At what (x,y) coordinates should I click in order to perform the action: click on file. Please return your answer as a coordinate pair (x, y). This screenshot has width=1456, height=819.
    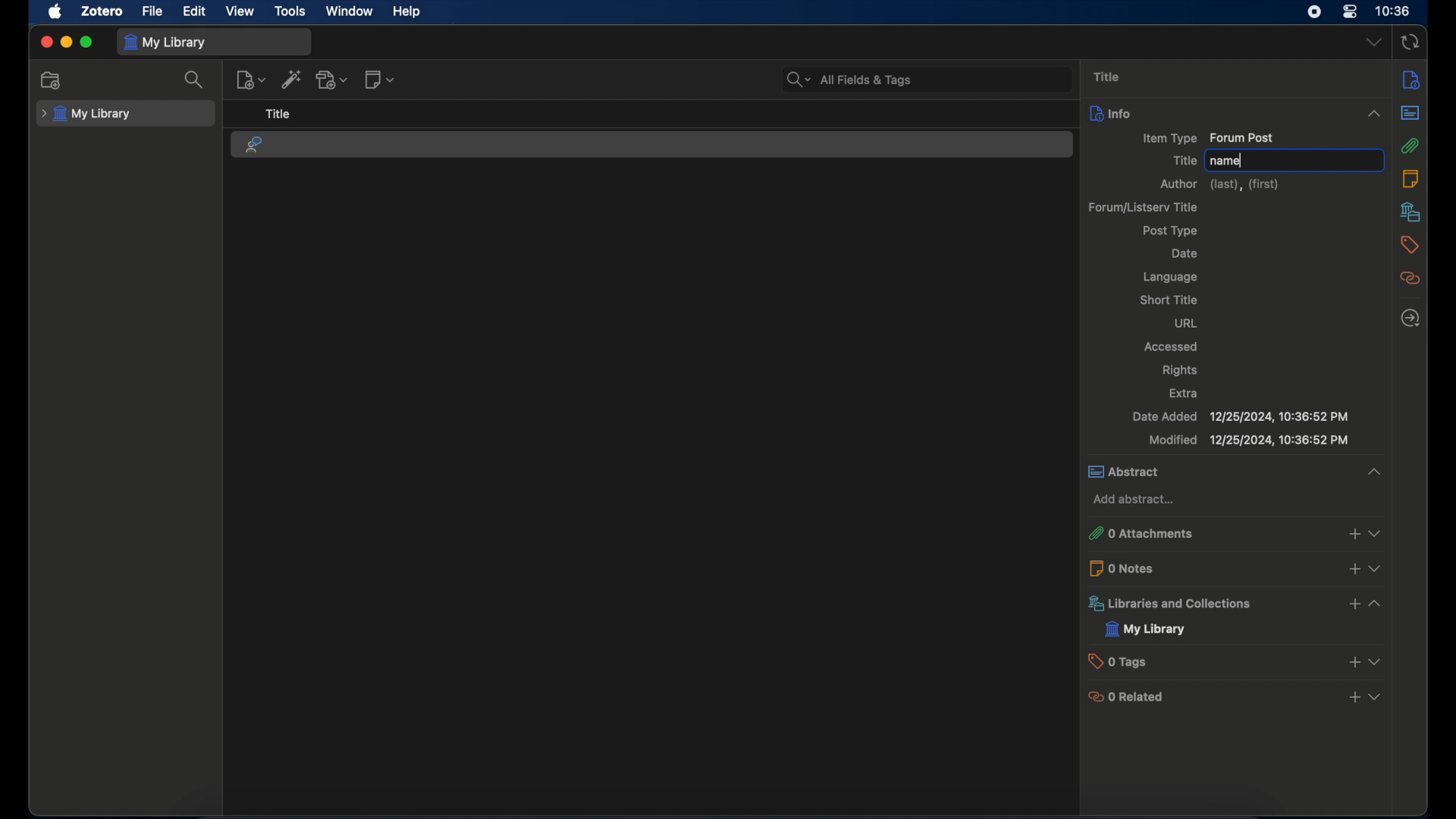
    Looking at the image, I should click on (153, 11).